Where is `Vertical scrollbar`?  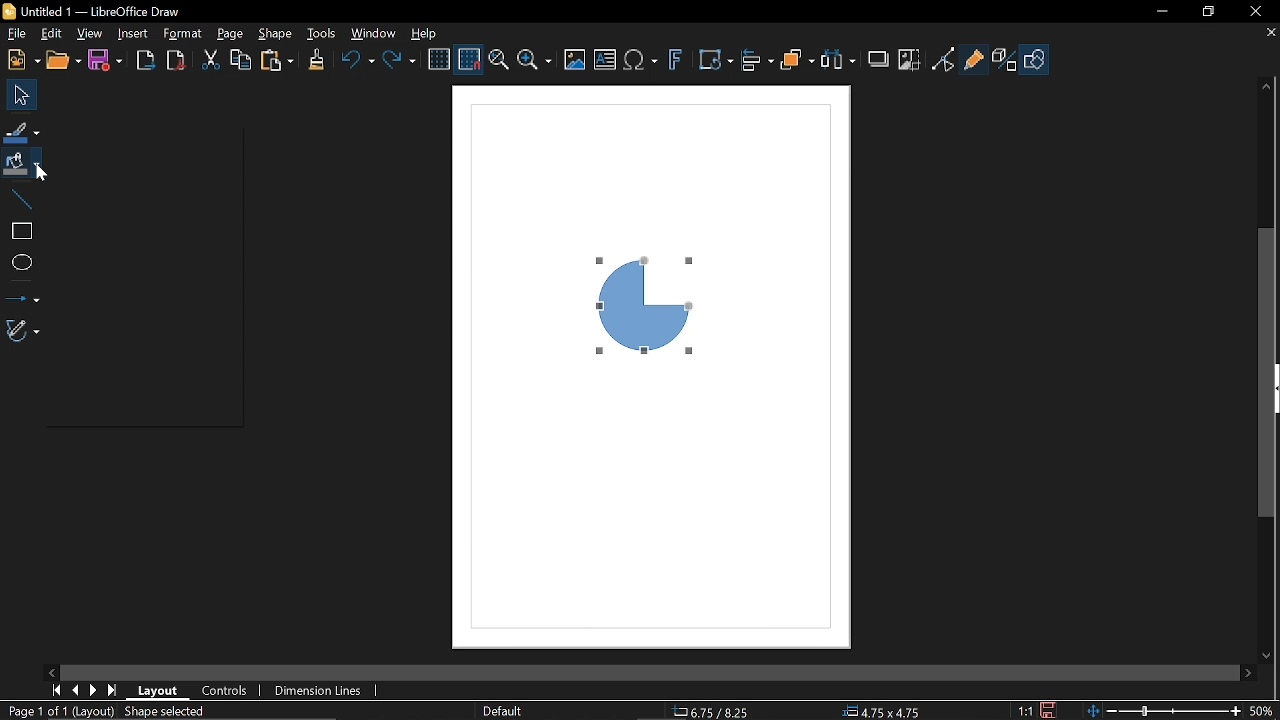
Vertical scrollbar is located at coordinates (1269, 372).